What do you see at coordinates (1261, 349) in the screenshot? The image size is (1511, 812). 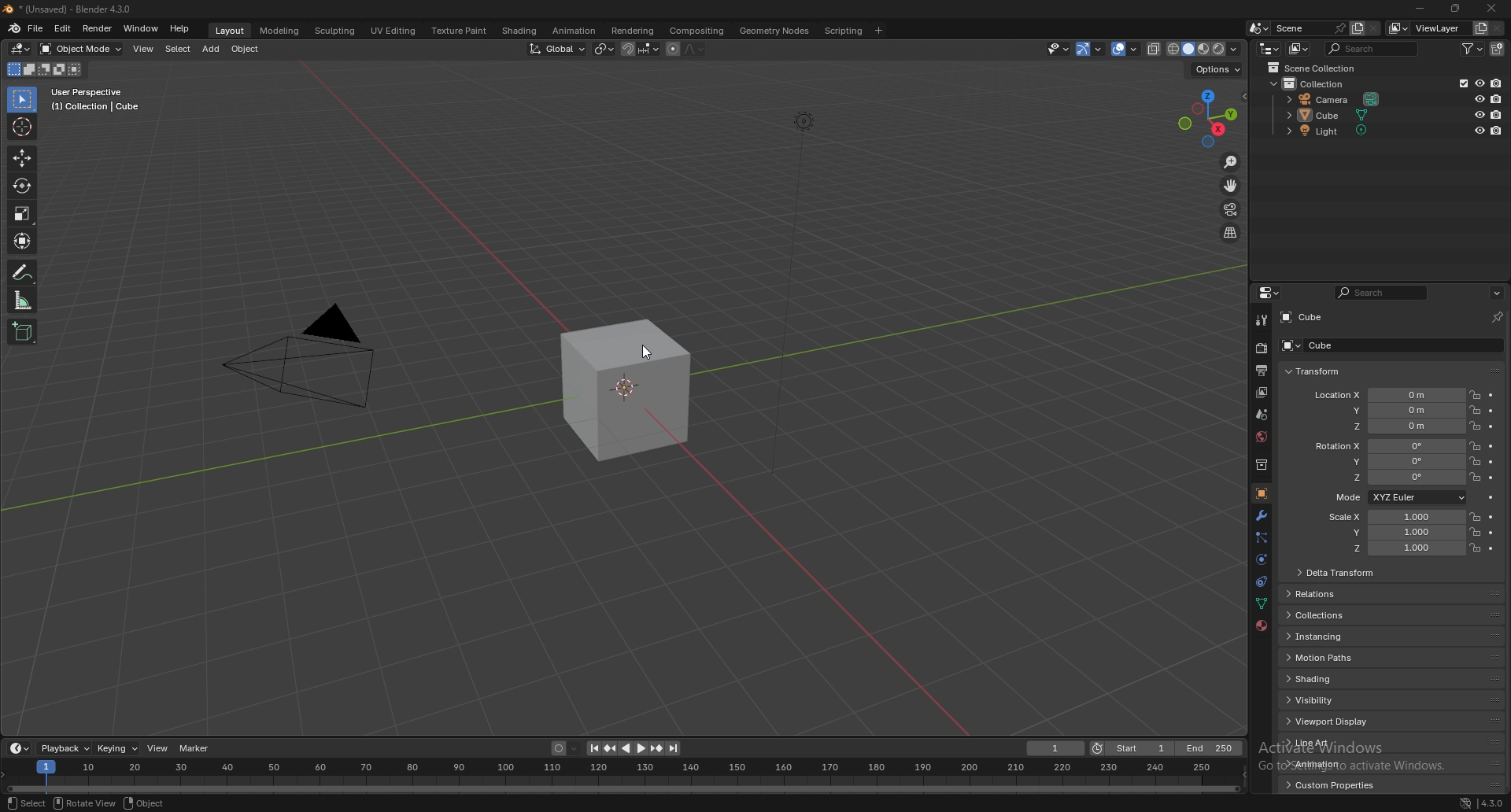 I see `render` at bounding box center [1261, 349].